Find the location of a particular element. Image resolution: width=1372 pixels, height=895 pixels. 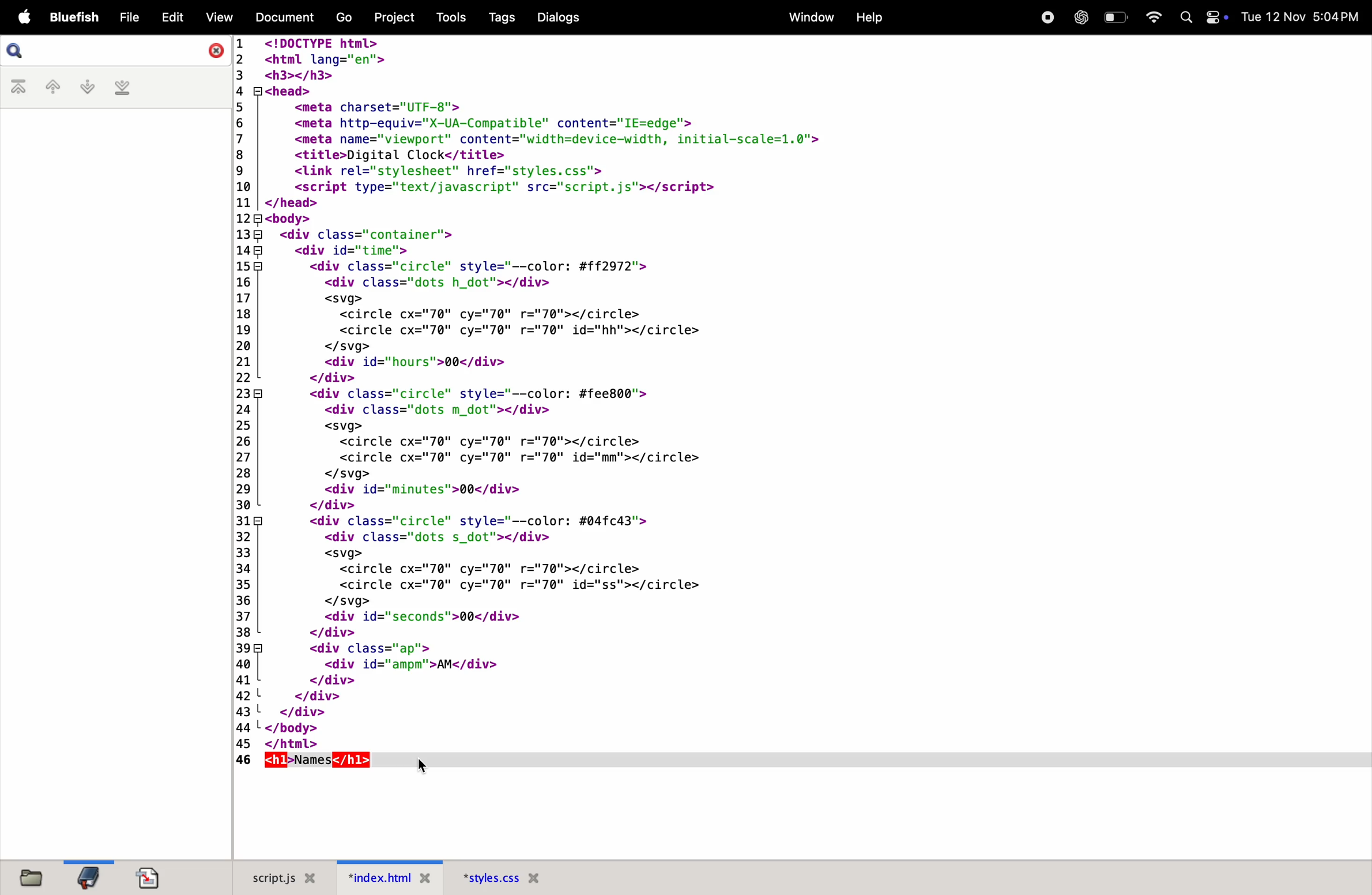

tue 12 nov 5.04 Pm is located at coordinates (1303, 17).